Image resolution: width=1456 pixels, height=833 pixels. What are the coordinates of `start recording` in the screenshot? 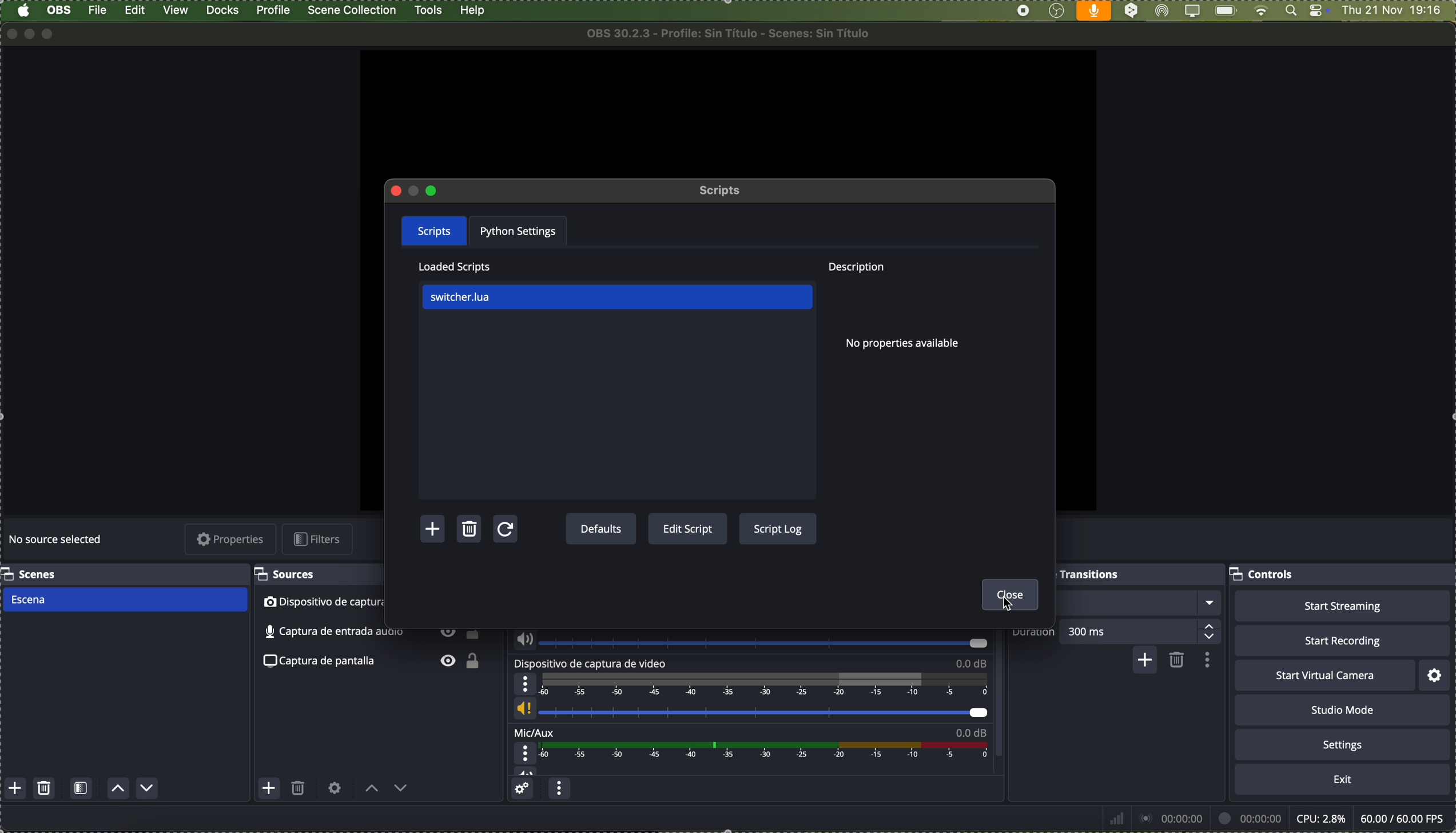 It's located at (1342, 640).